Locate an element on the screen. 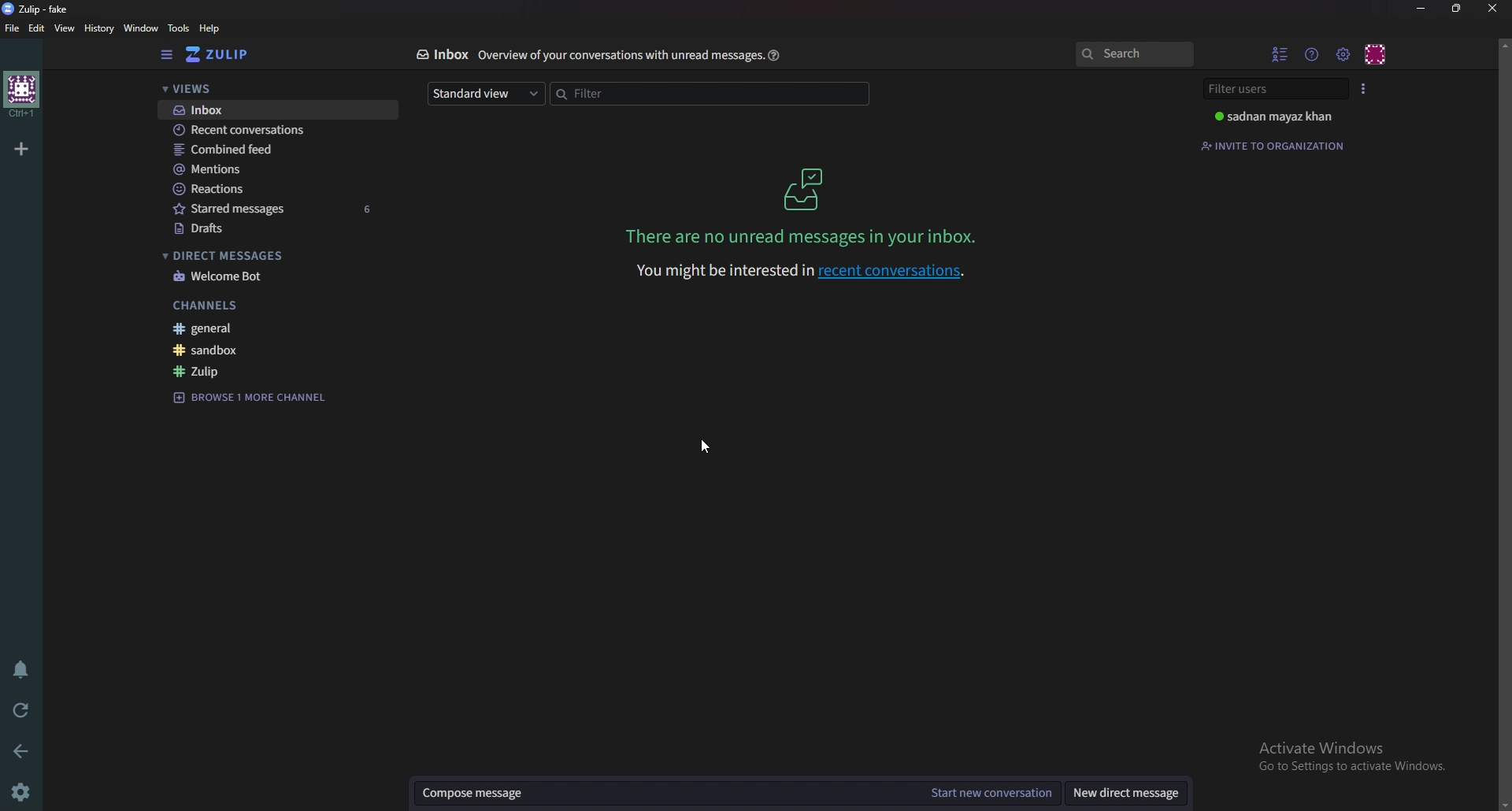  home is located at coordinates (20, 94).